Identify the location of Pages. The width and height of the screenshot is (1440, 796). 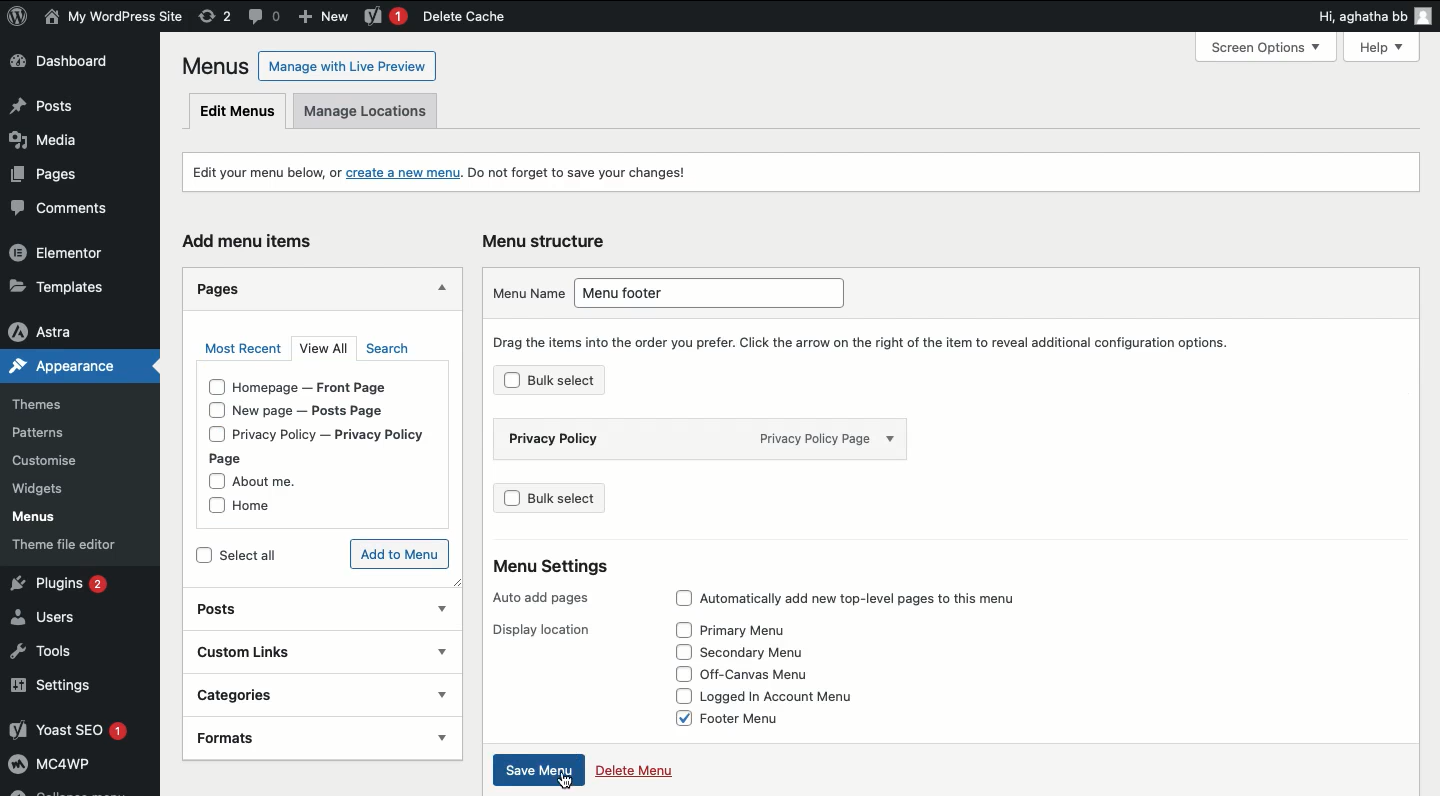
(215, 289).